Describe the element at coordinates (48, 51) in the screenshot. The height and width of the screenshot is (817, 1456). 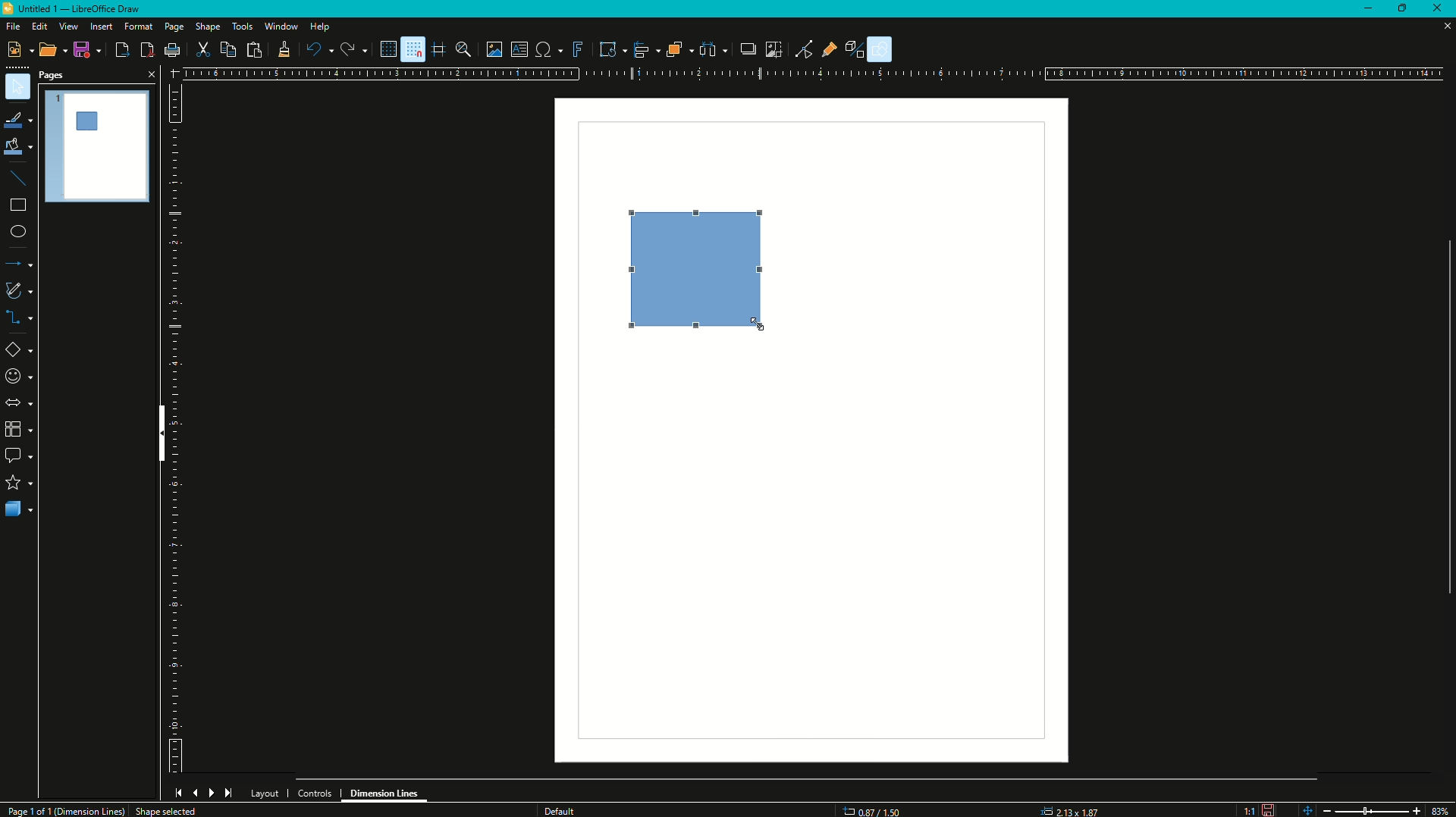
I see `Open` at that location.